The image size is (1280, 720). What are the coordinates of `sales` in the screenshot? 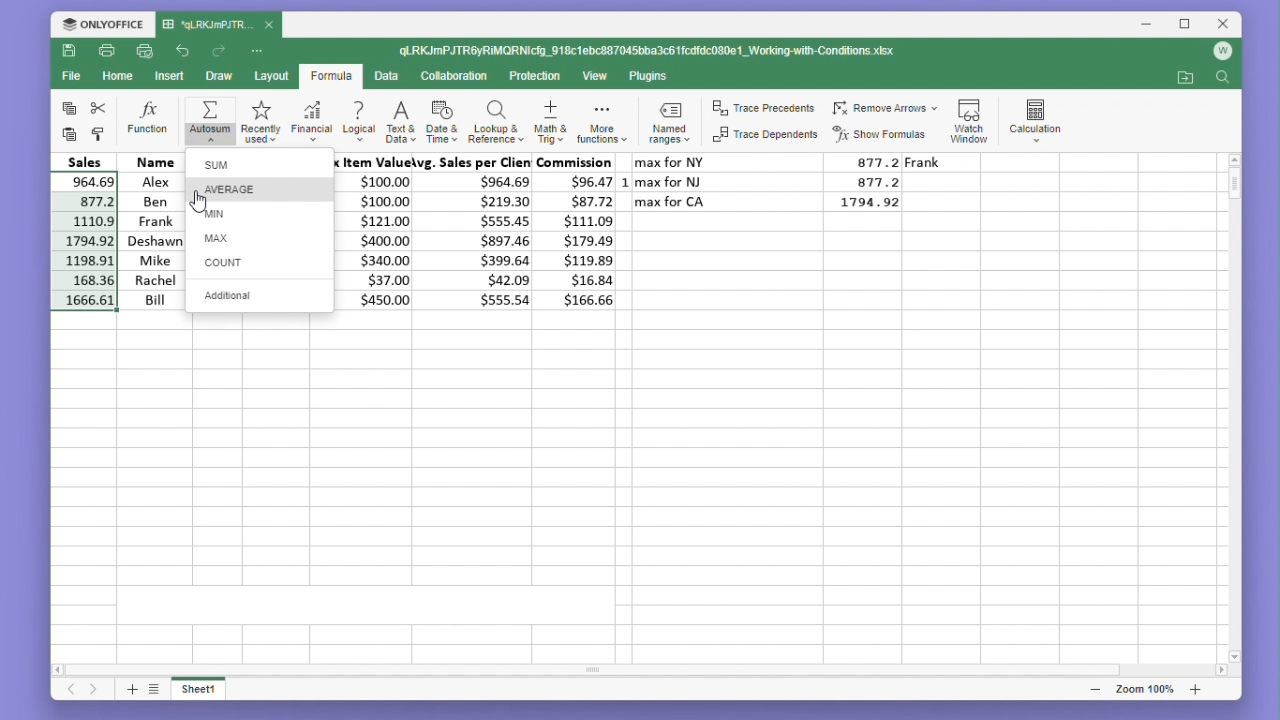 It's located at (88, 160).